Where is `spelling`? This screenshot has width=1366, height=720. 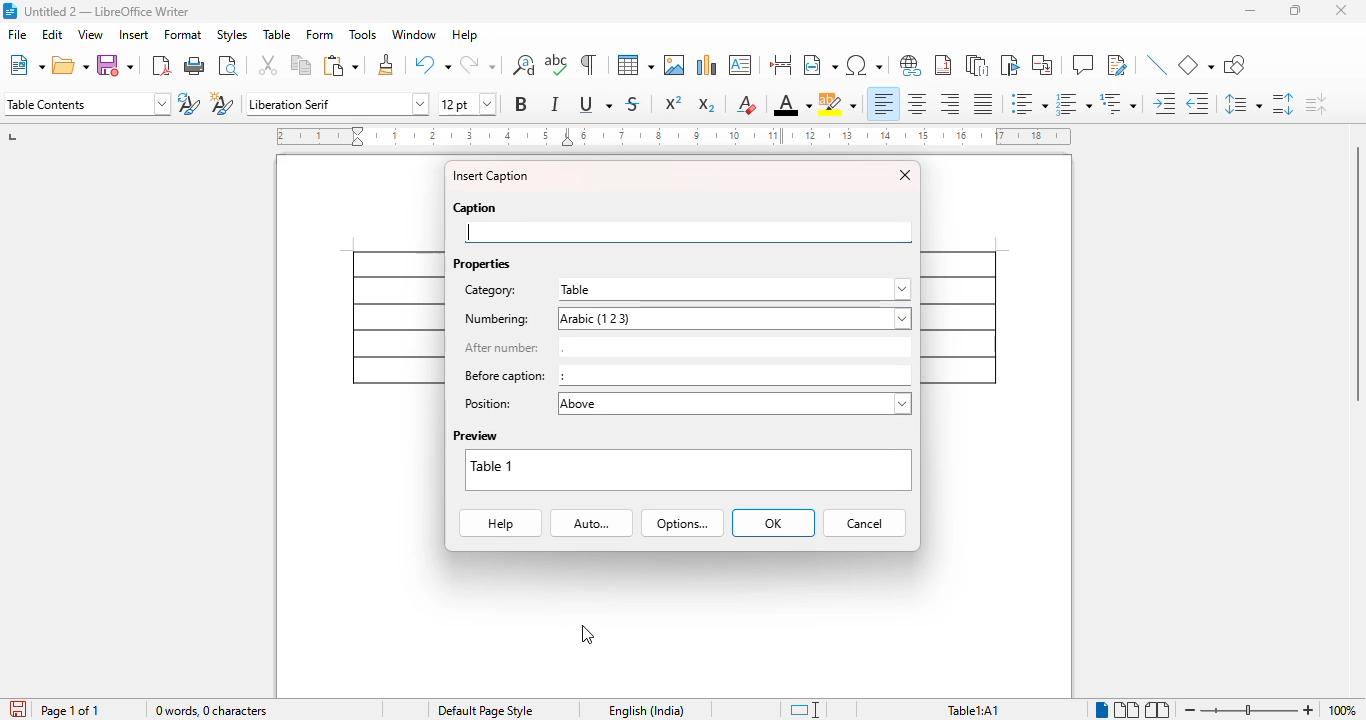 spelling is located at coordinates (556, 64).